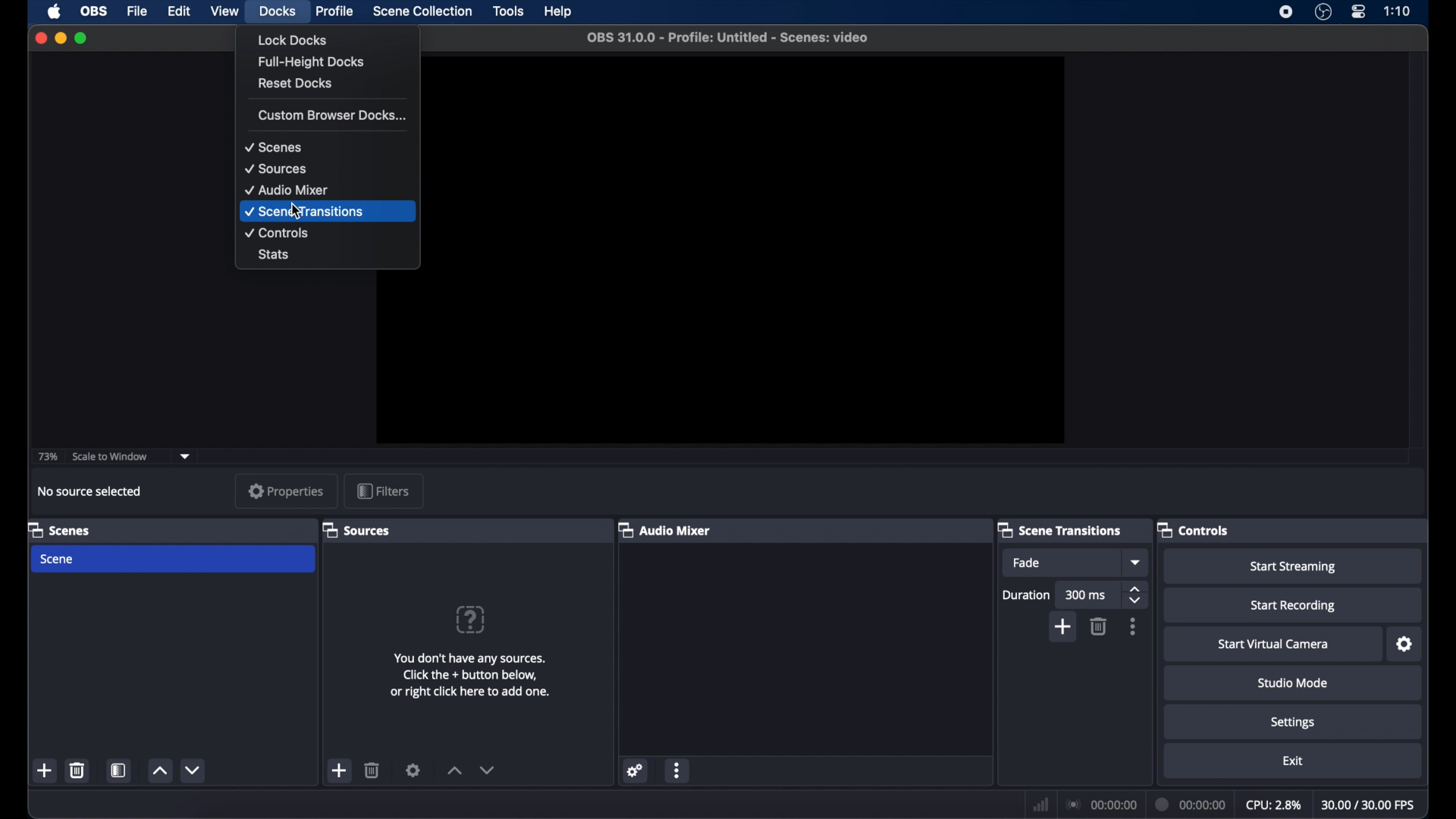  I want to click on decrement, so click(487, 770).